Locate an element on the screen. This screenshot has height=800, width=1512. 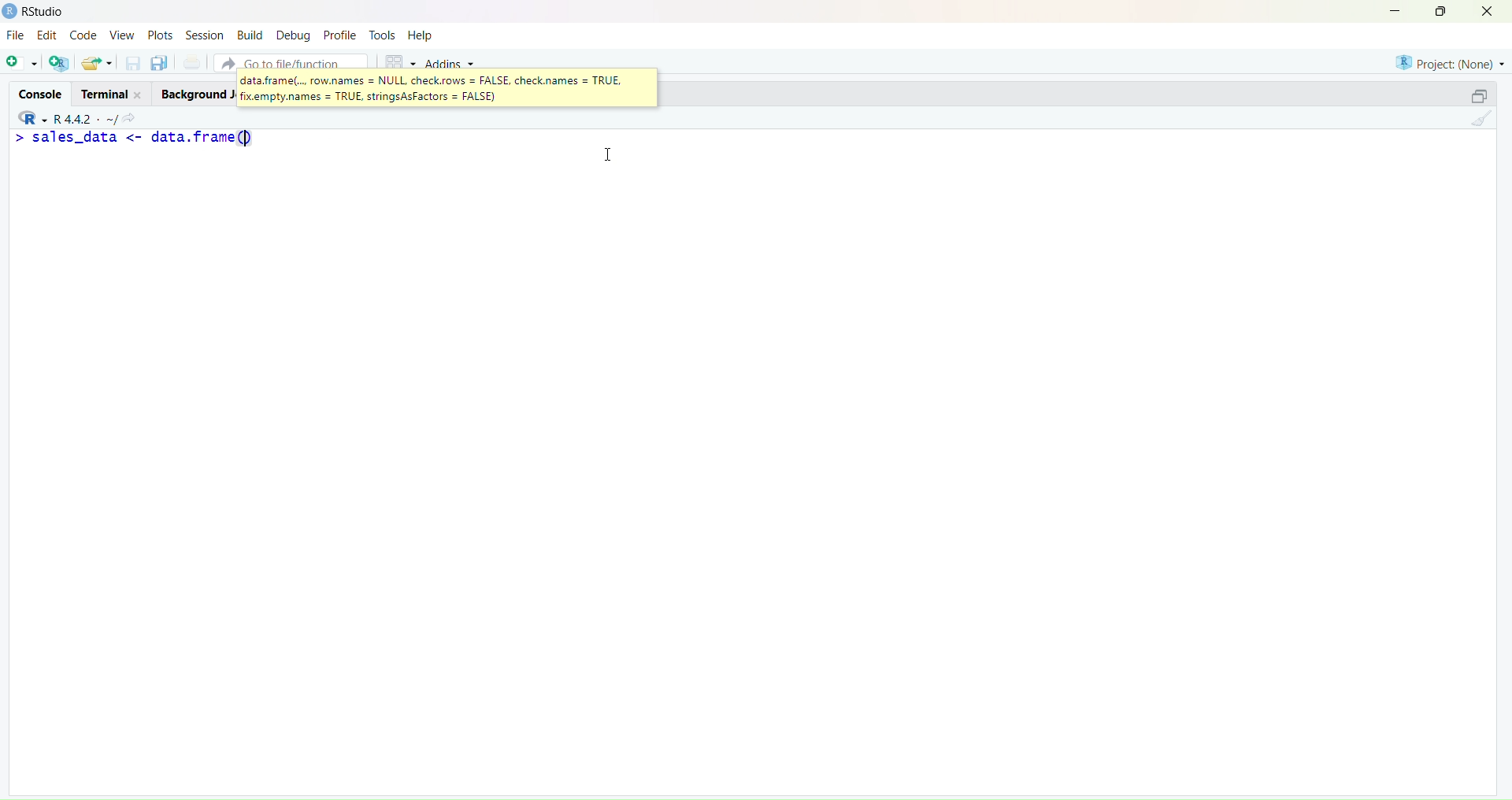
close is located at coordinates (1493, 12).